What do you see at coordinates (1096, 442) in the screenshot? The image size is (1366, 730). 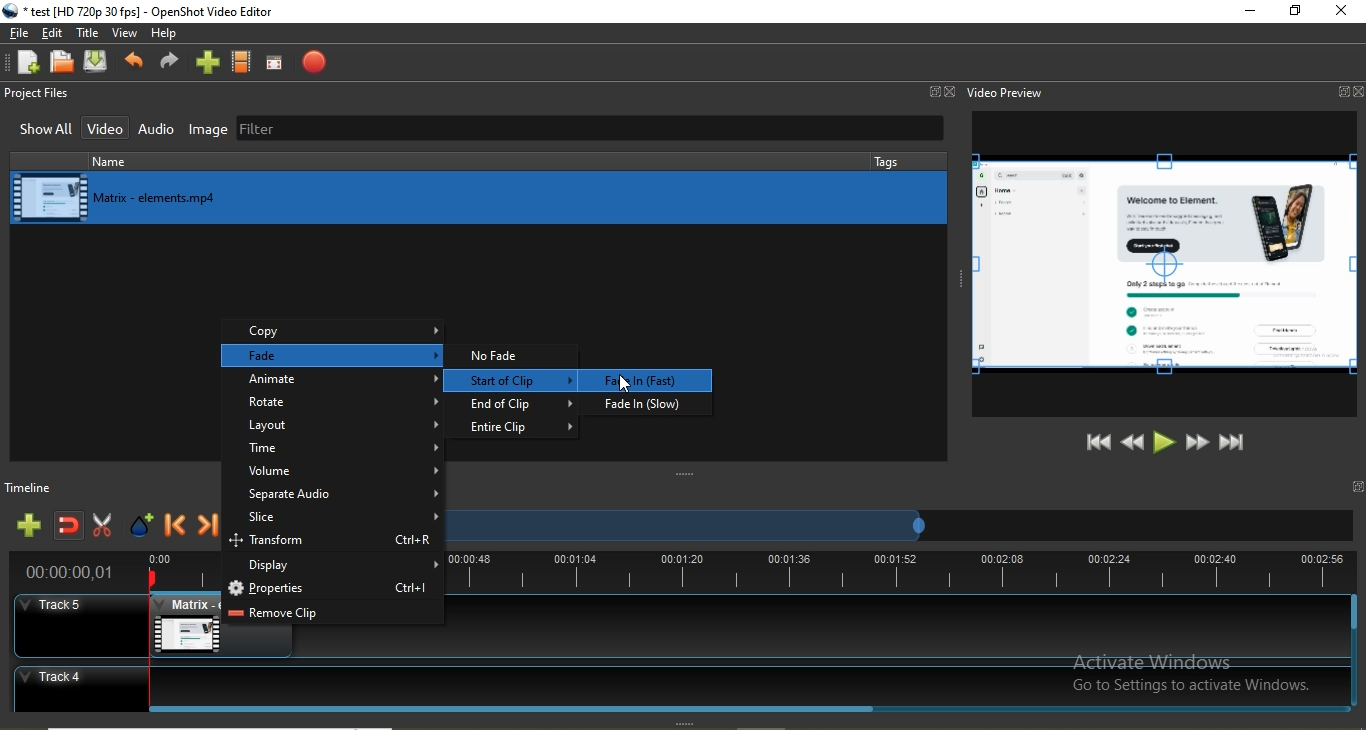 I see `Jump to start` at bounding box center [1096, 442].